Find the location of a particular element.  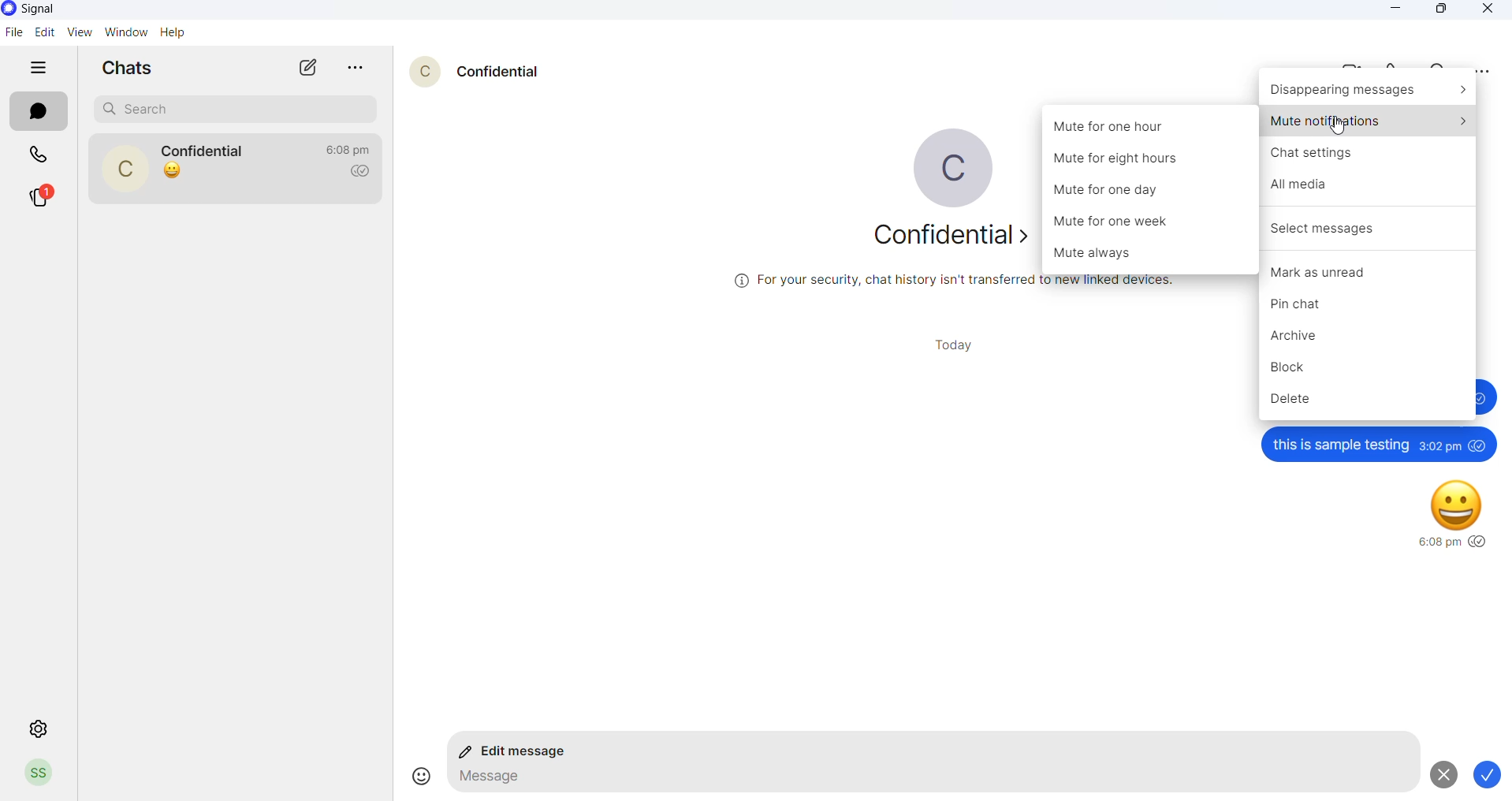

seen is located at coordinates (1480, 542).